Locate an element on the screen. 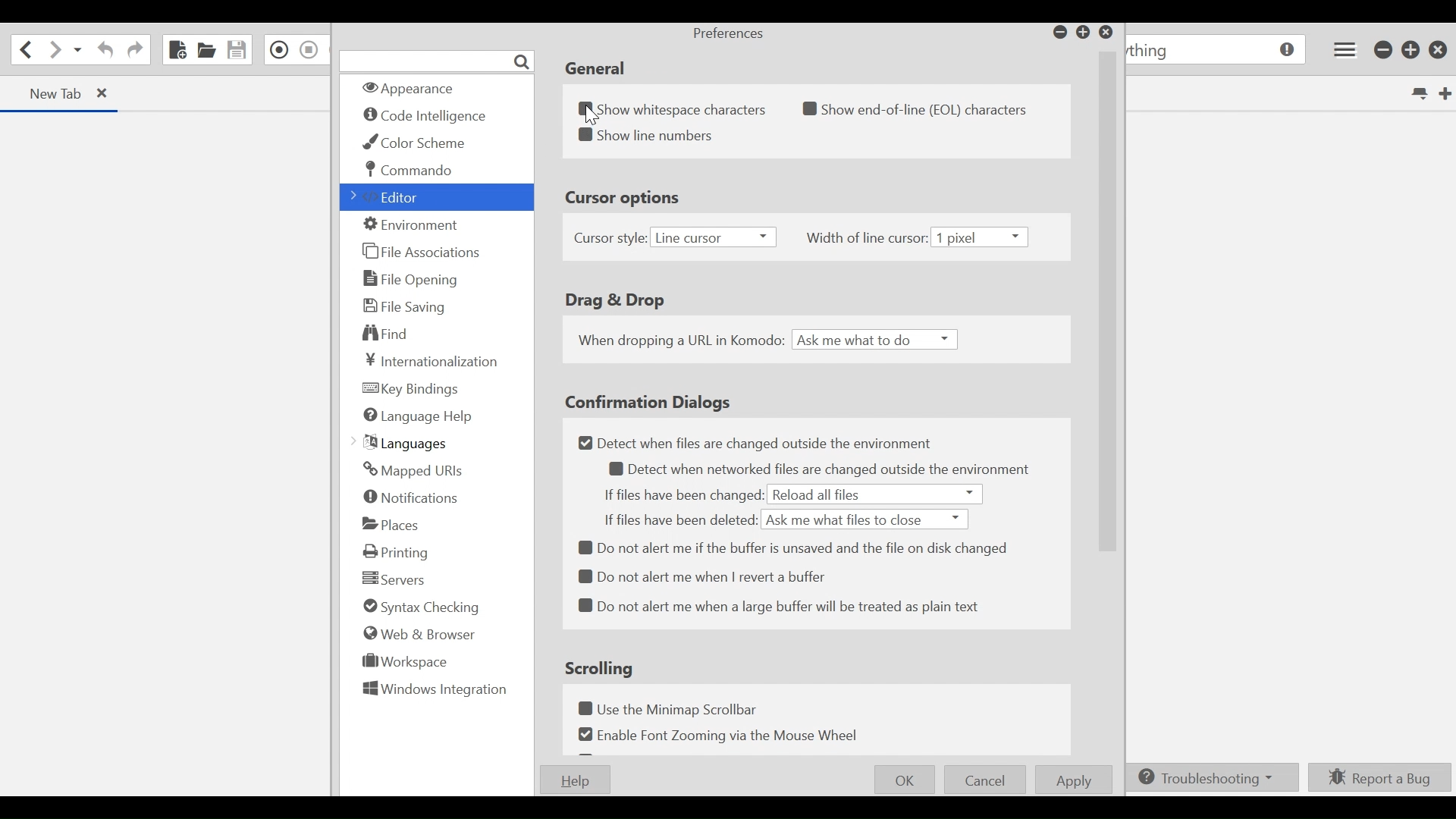 This screenshot has height=819, width=1456.  Do not alert me when I revert a buffer is located at coordinates (714, 579).